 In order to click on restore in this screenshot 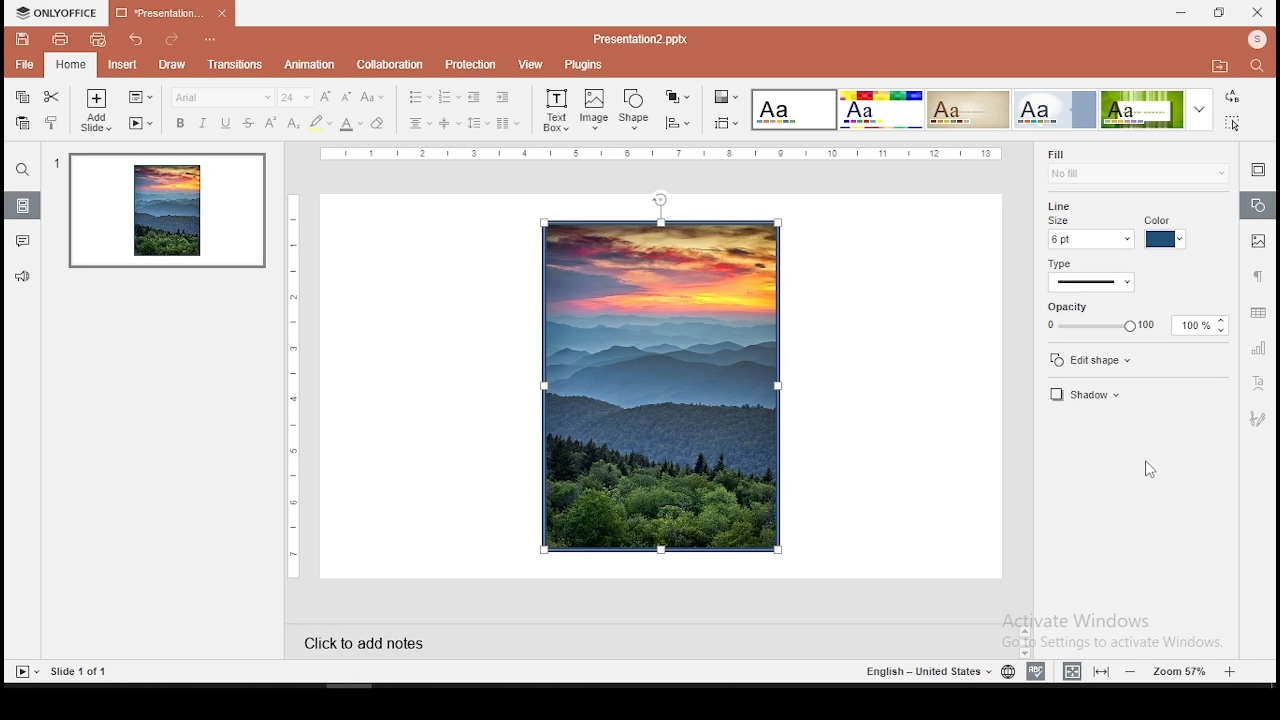, I will do `click(1217, 12)`.